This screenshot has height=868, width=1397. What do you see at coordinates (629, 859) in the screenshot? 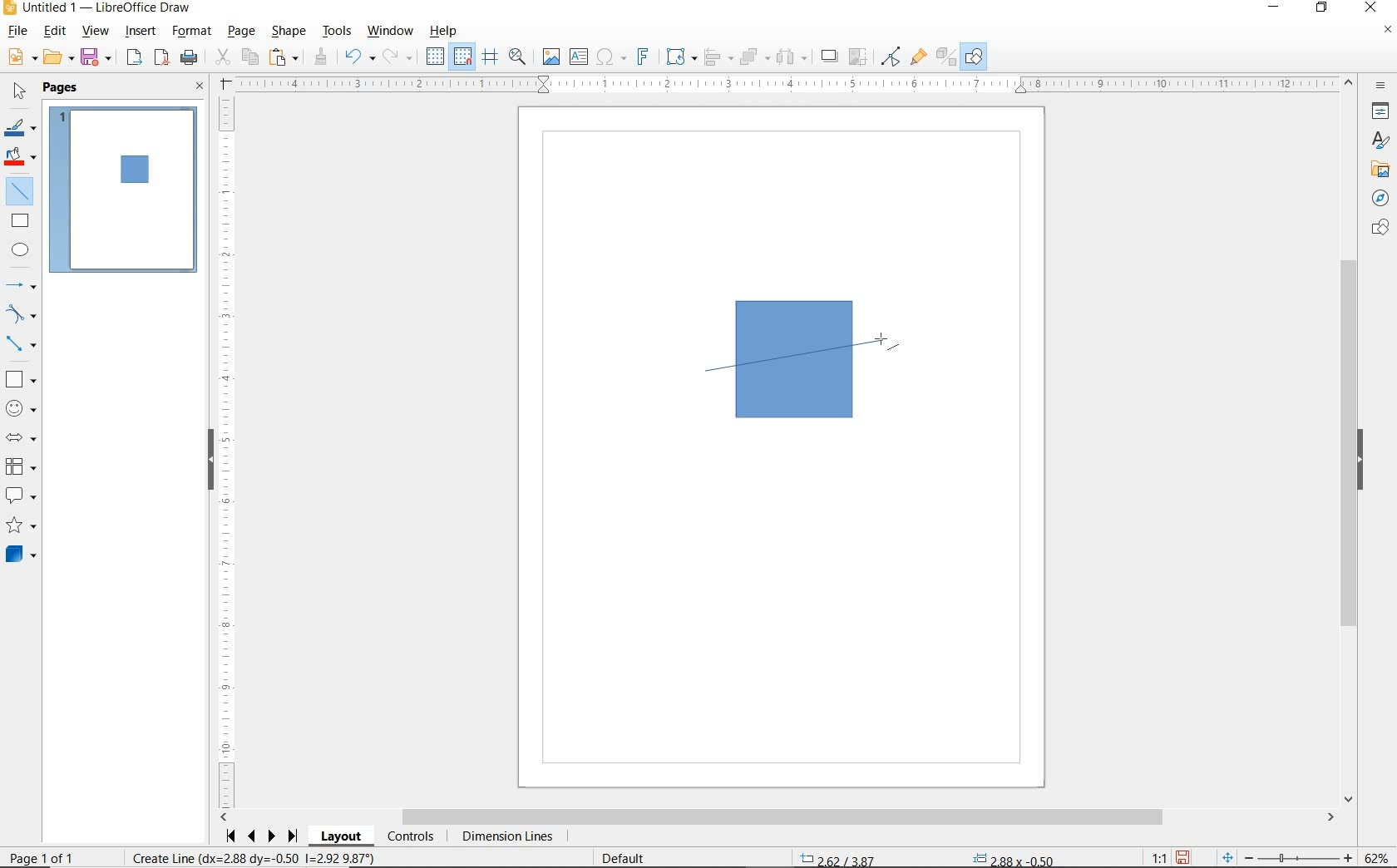
I see `DEFAULT` at bounding box center [629, 859].